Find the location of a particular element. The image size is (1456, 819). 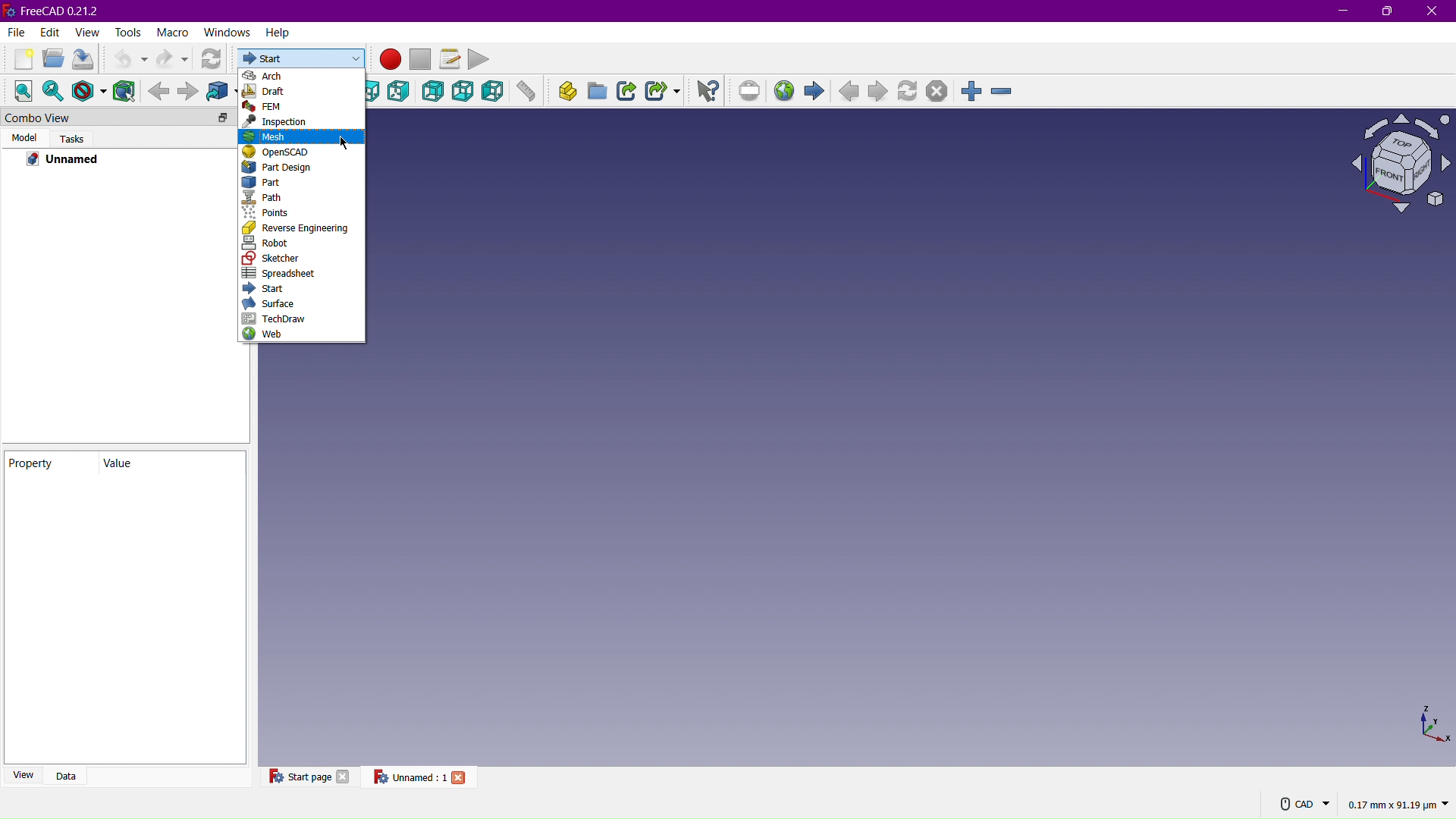

Zoom out is located at coordinates (1001, 89).